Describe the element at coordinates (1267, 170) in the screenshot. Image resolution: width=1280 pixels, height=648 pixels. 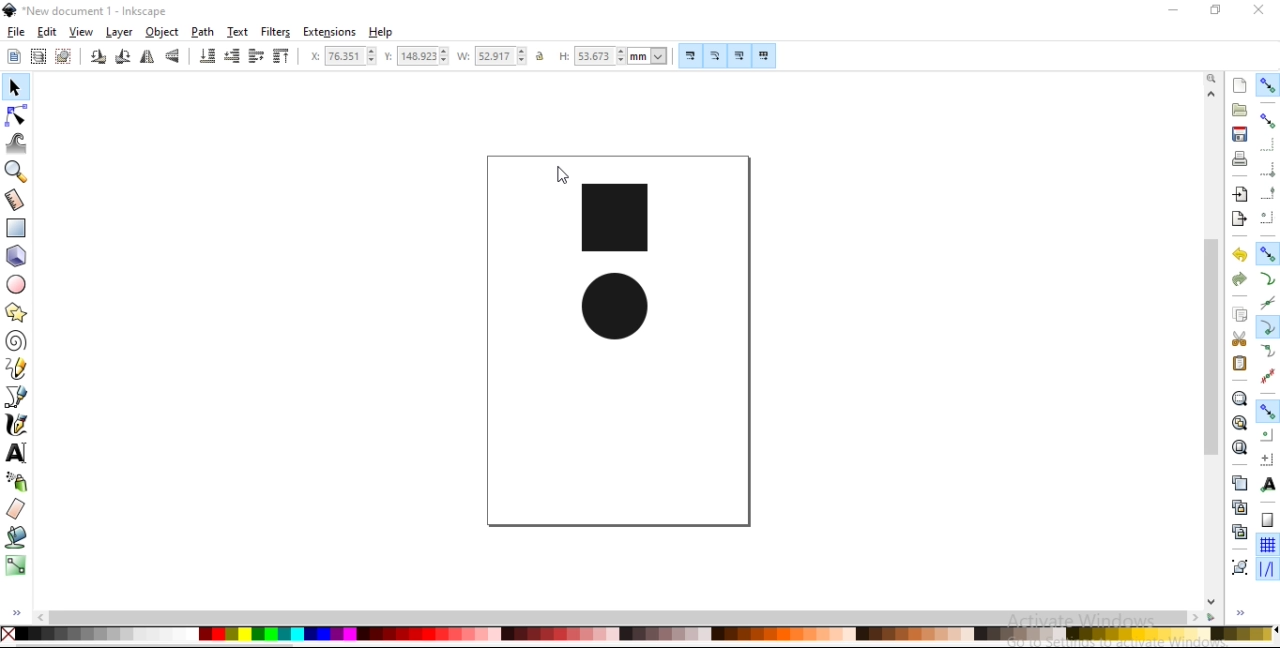
I see `snap bounding box corners` at that location.